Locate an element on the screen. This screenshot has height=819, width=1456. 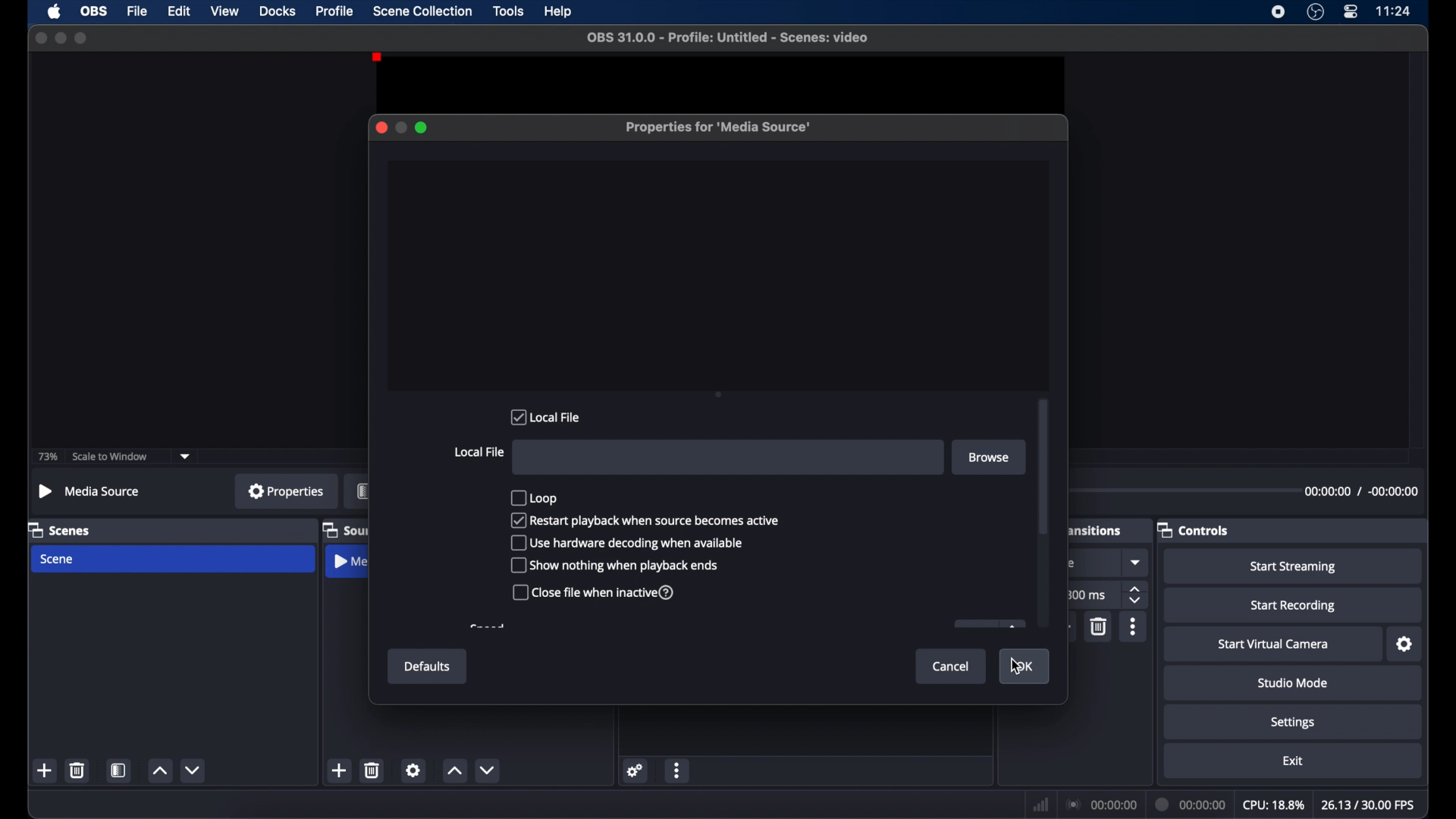
more options is located at coordinates (679, 770).